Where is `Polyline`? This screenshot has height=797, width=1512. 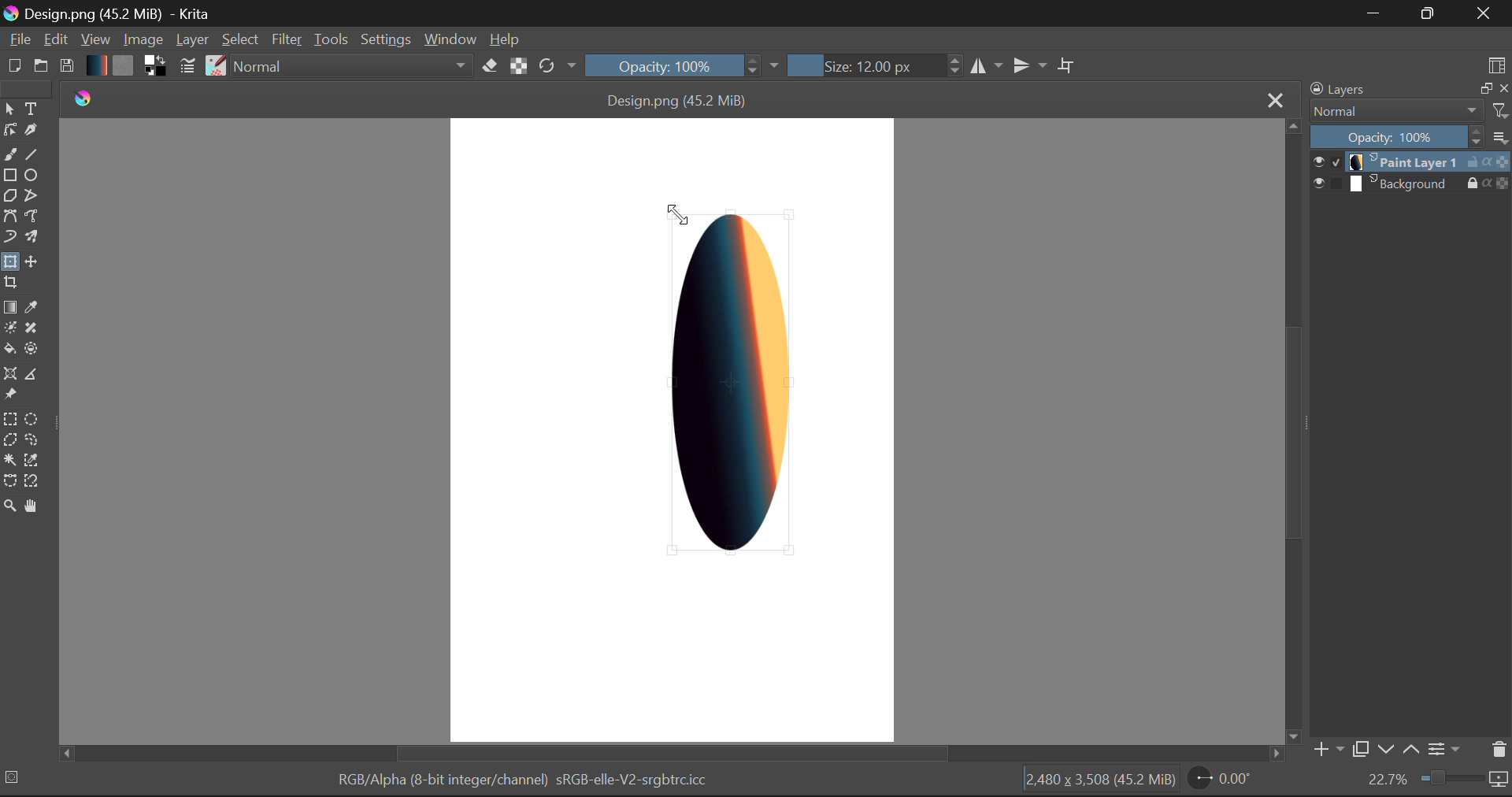
Polyline is located at coordinates (32, 197).